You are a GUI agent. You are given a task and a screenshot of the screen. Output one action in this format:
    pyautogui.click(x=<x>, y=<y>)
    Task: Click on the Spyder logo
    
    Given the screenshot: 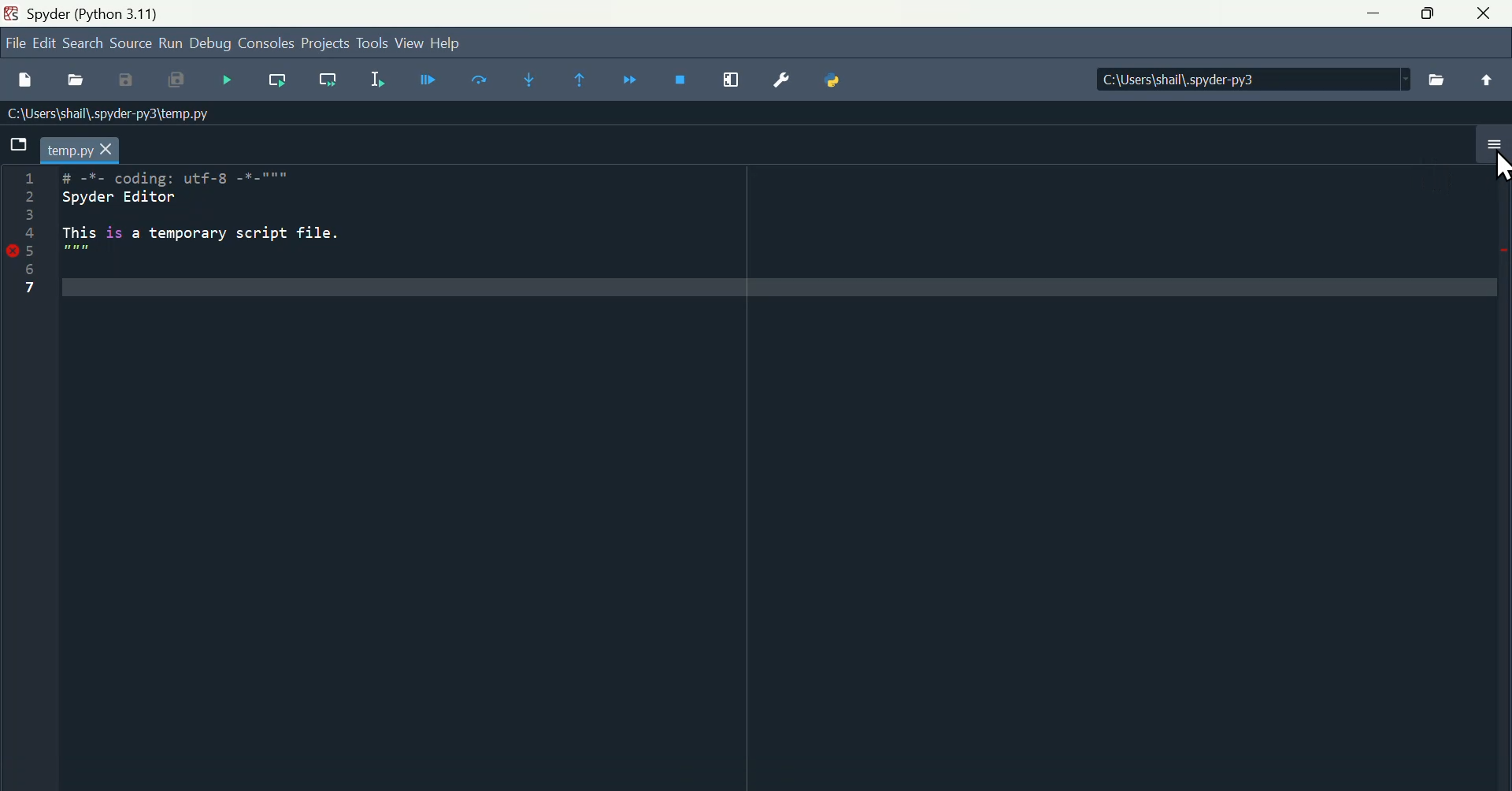 What is the action you would take?
    pyautogui.click(x=9, y=11)
    